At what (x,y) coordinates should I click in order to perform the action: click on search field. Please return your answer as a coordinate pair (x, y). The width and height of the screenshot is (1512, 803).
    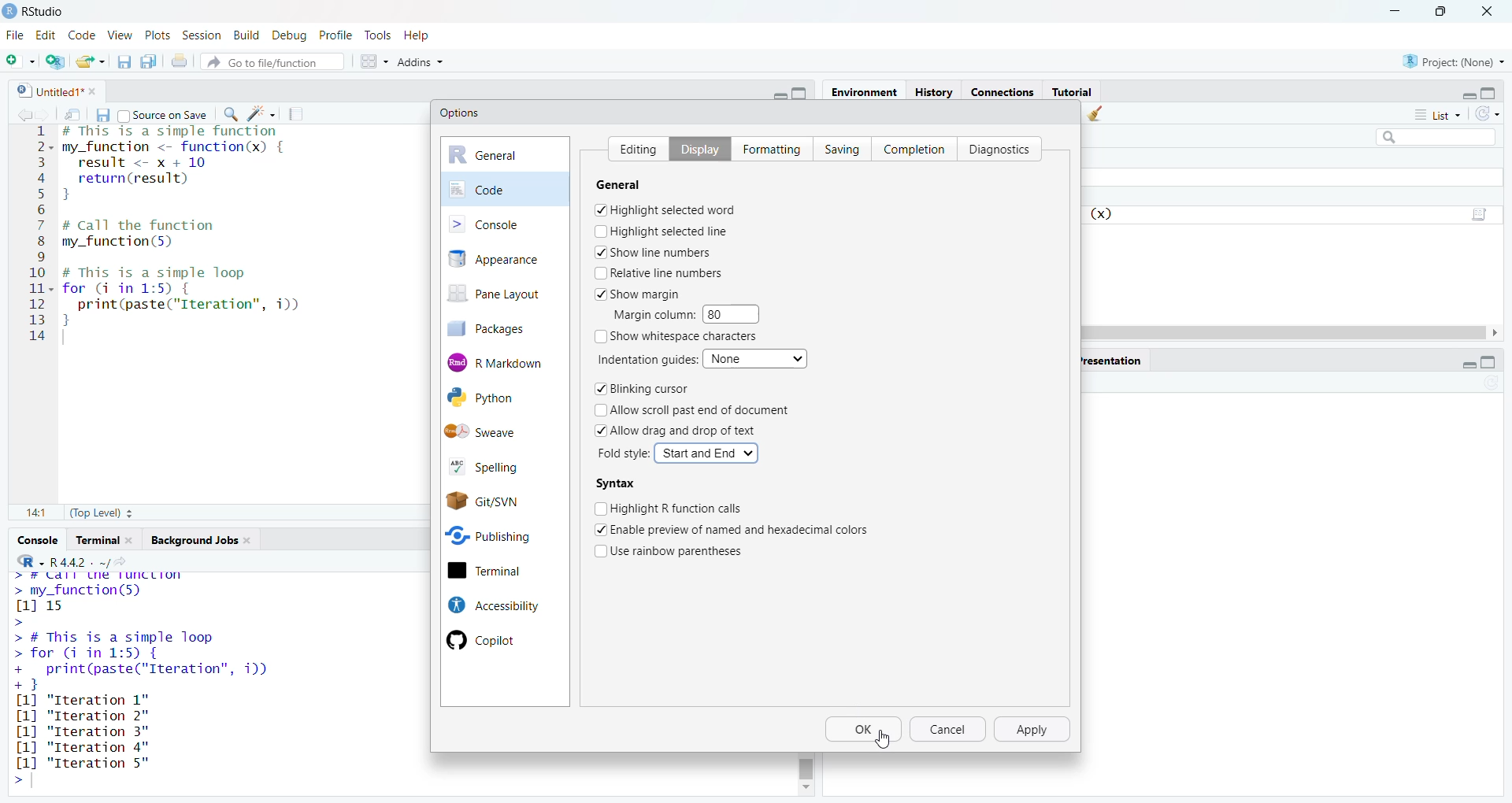
    Looking at the image, I should click on (1432, 136).